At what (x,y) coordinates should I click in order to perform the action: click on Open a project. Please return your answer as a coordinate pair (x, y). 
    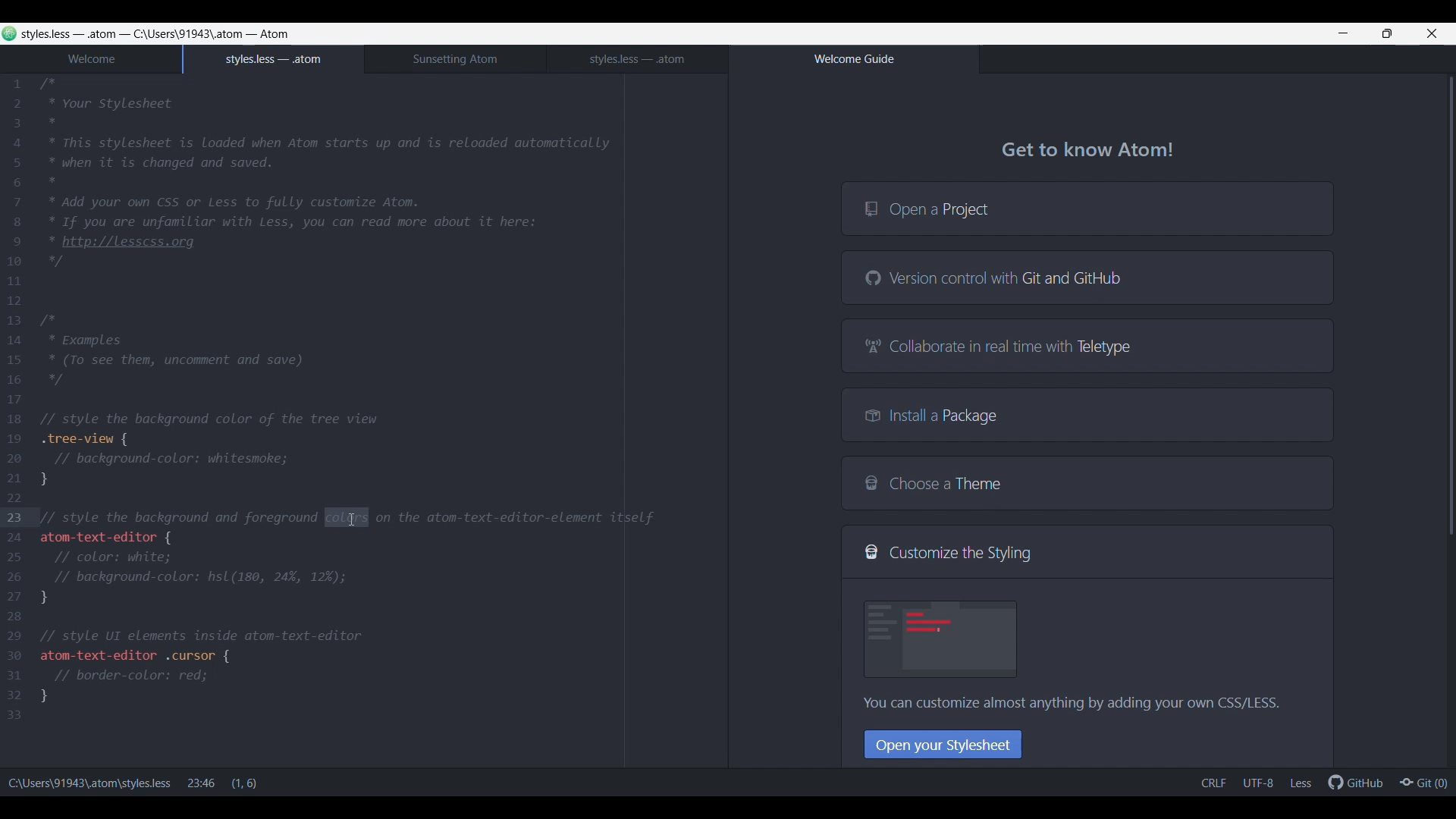
    Looking at the image, I should click on (1087, 208).